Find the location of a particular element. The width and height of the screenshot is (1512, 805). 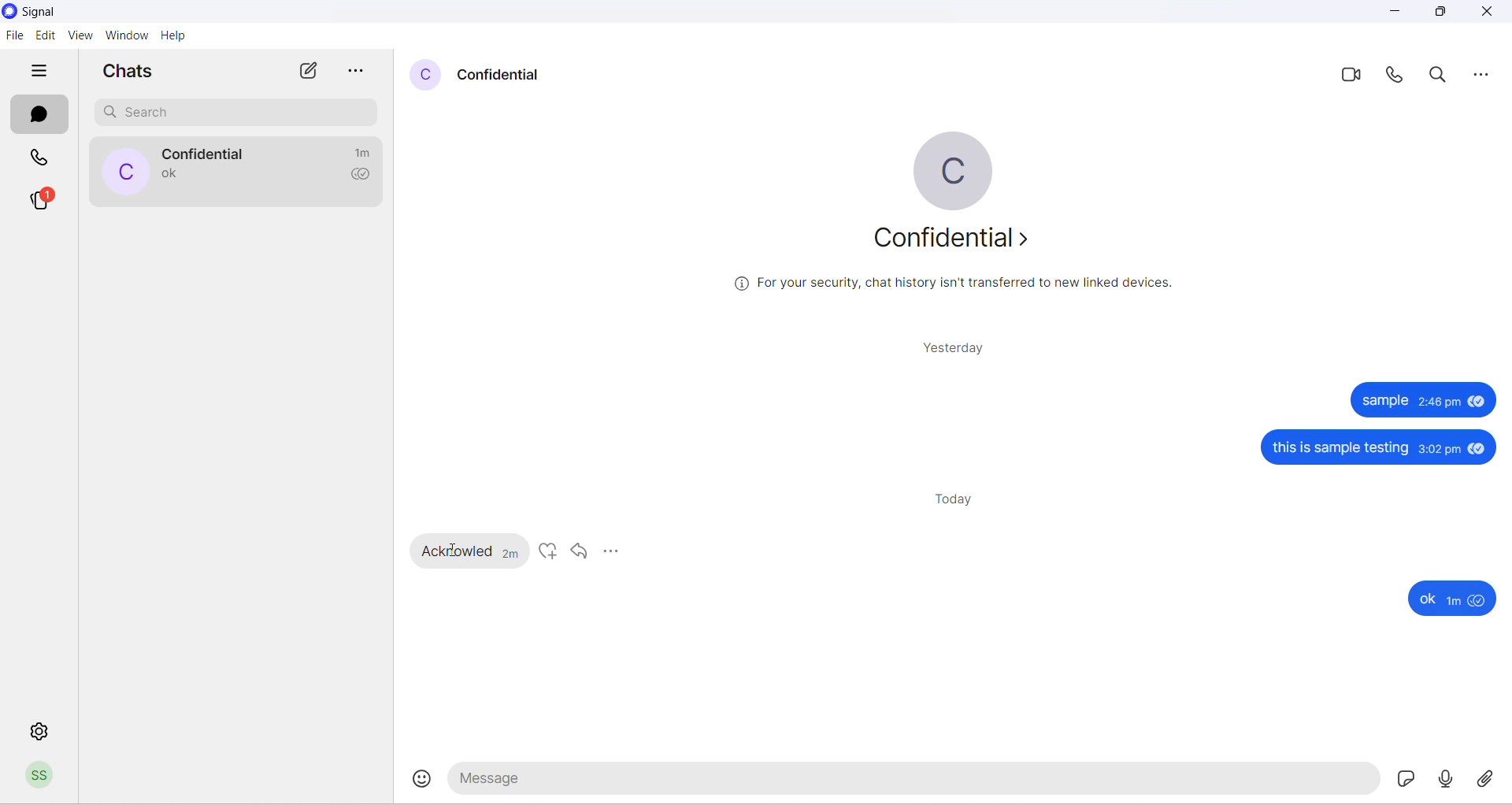

sticker is located at coordinates (1406, 777).